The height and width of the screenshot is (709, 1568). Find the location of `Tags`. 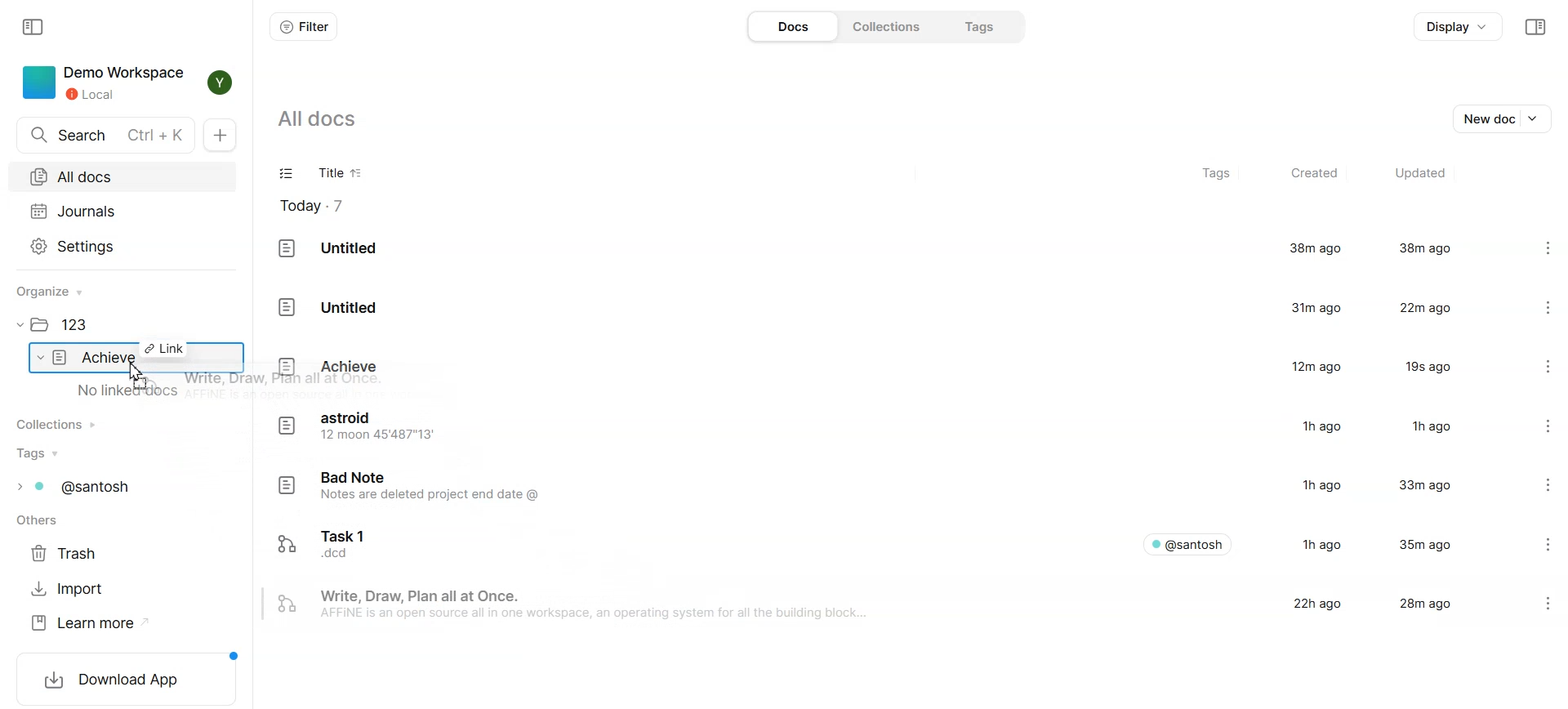

Tags is located at coordinates (41, 453).